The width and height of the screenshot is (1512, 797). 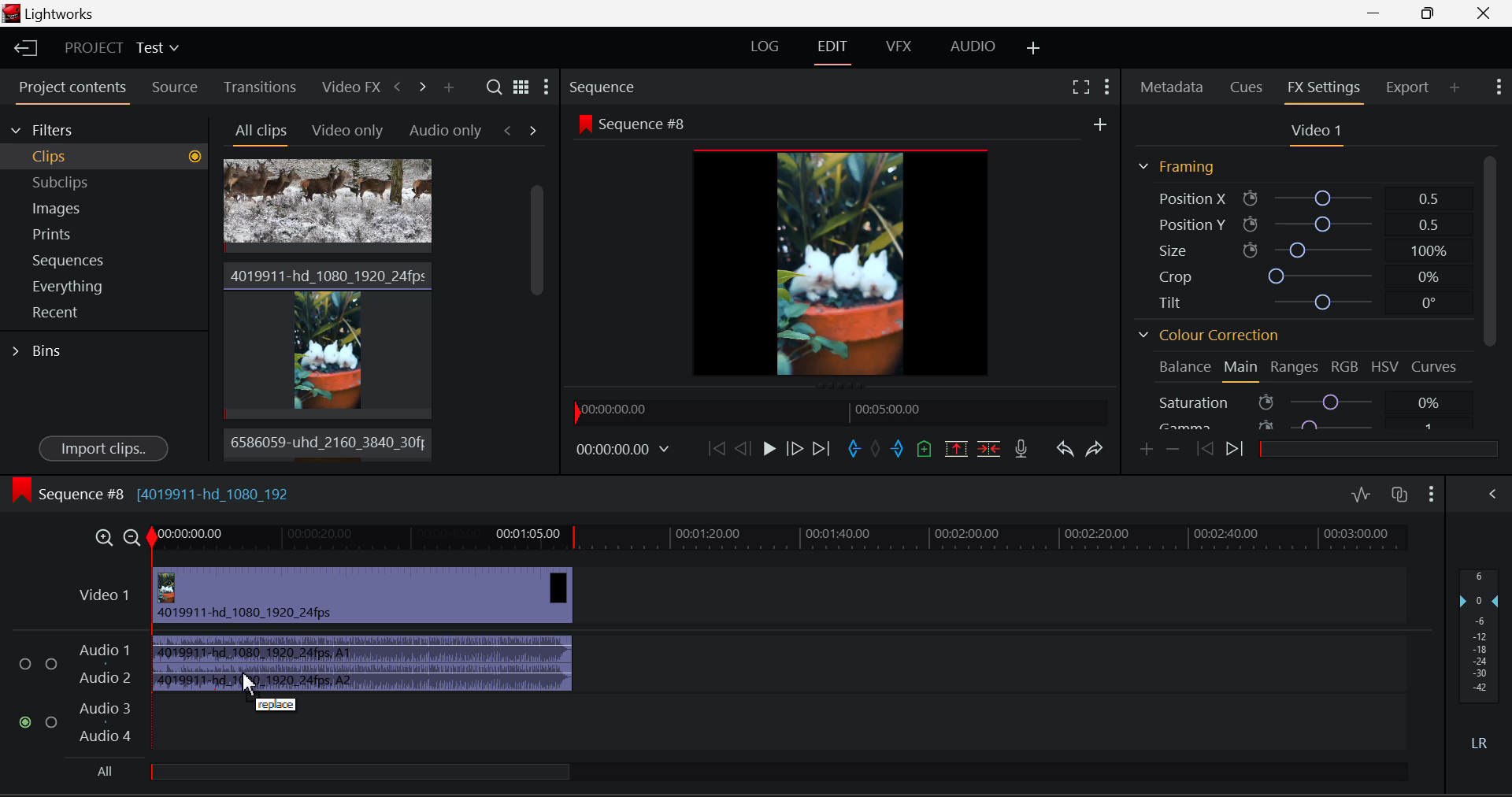 I want to click on Ranges, so click(x=1294, y=367).